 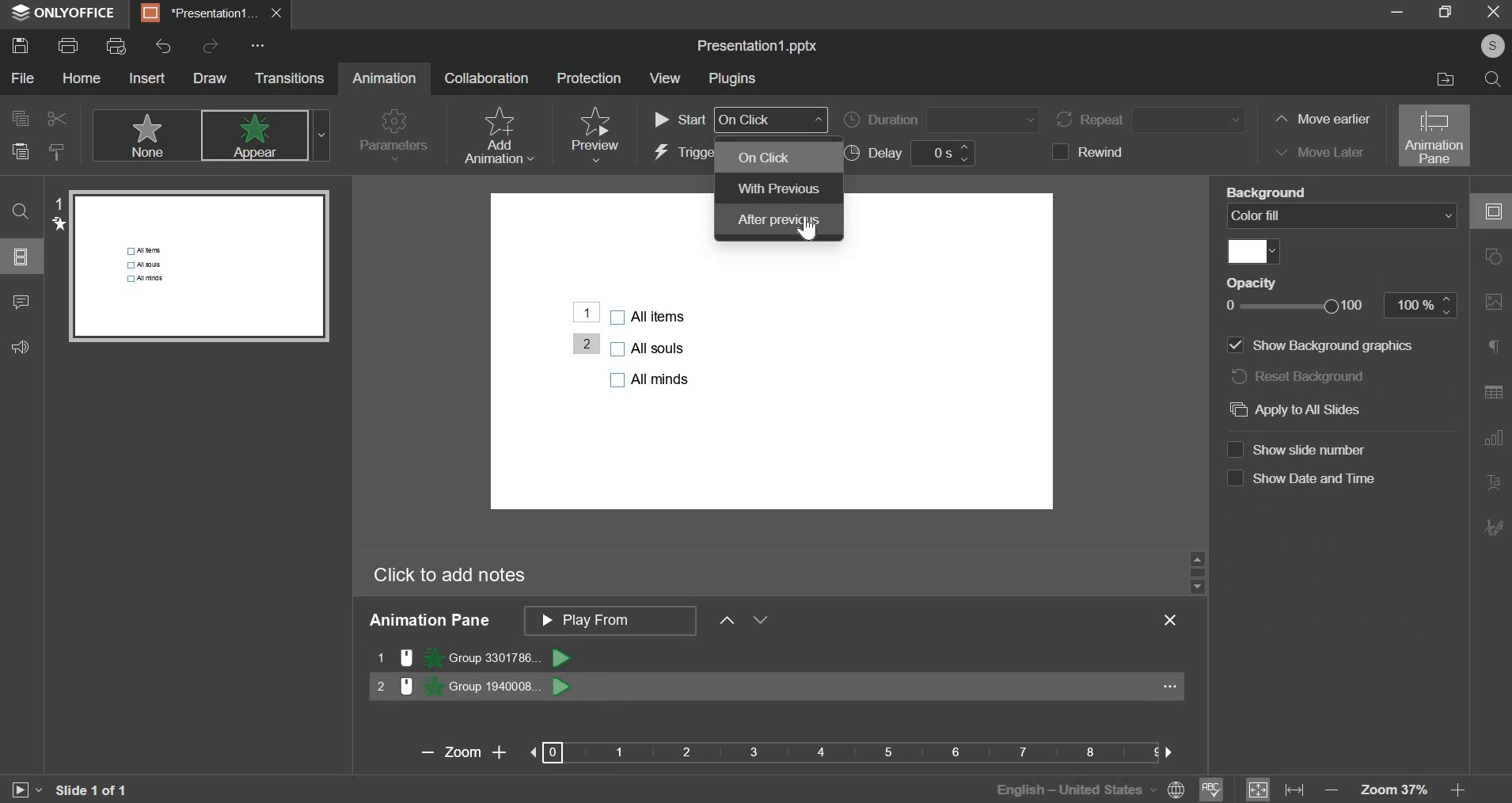 I want to click on language, so click(x=1084, y=788).